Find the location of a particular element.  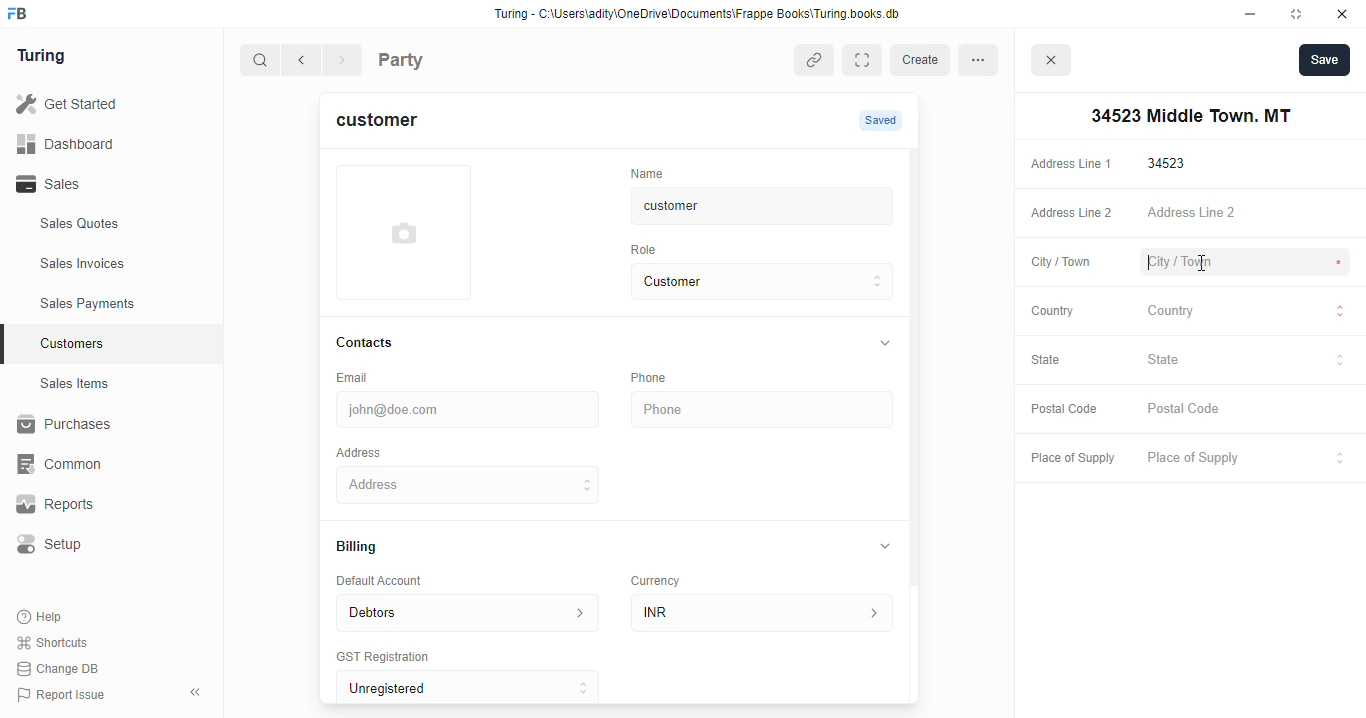

Report Issue is located at coordinates (65, 693).